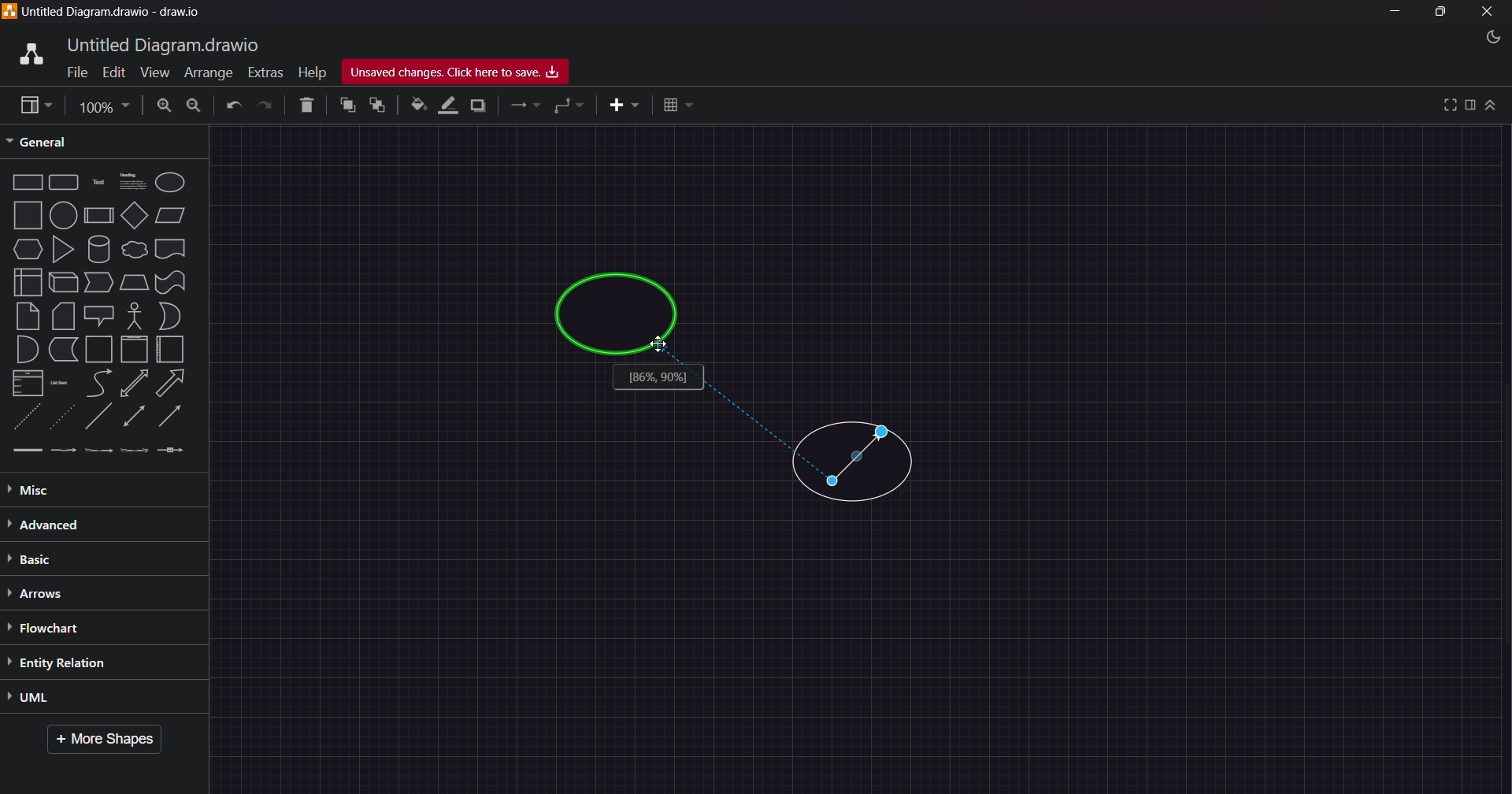 Image resolution: width=1512 pixels, height=794 pixels. I want to click on Zoom Out, so click(195, 107).